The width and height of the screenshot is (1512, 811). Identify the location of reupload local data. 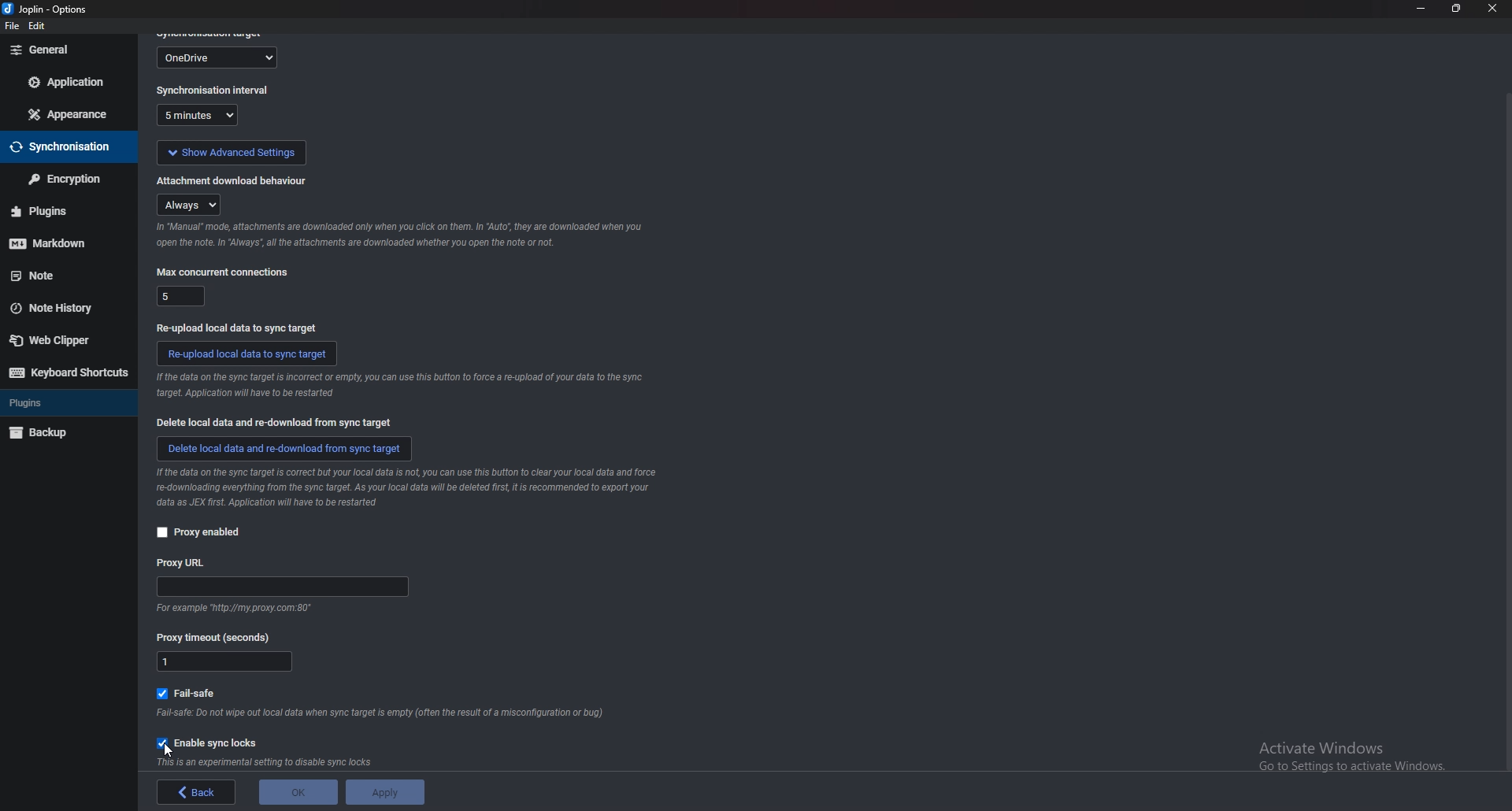
(248, 353).